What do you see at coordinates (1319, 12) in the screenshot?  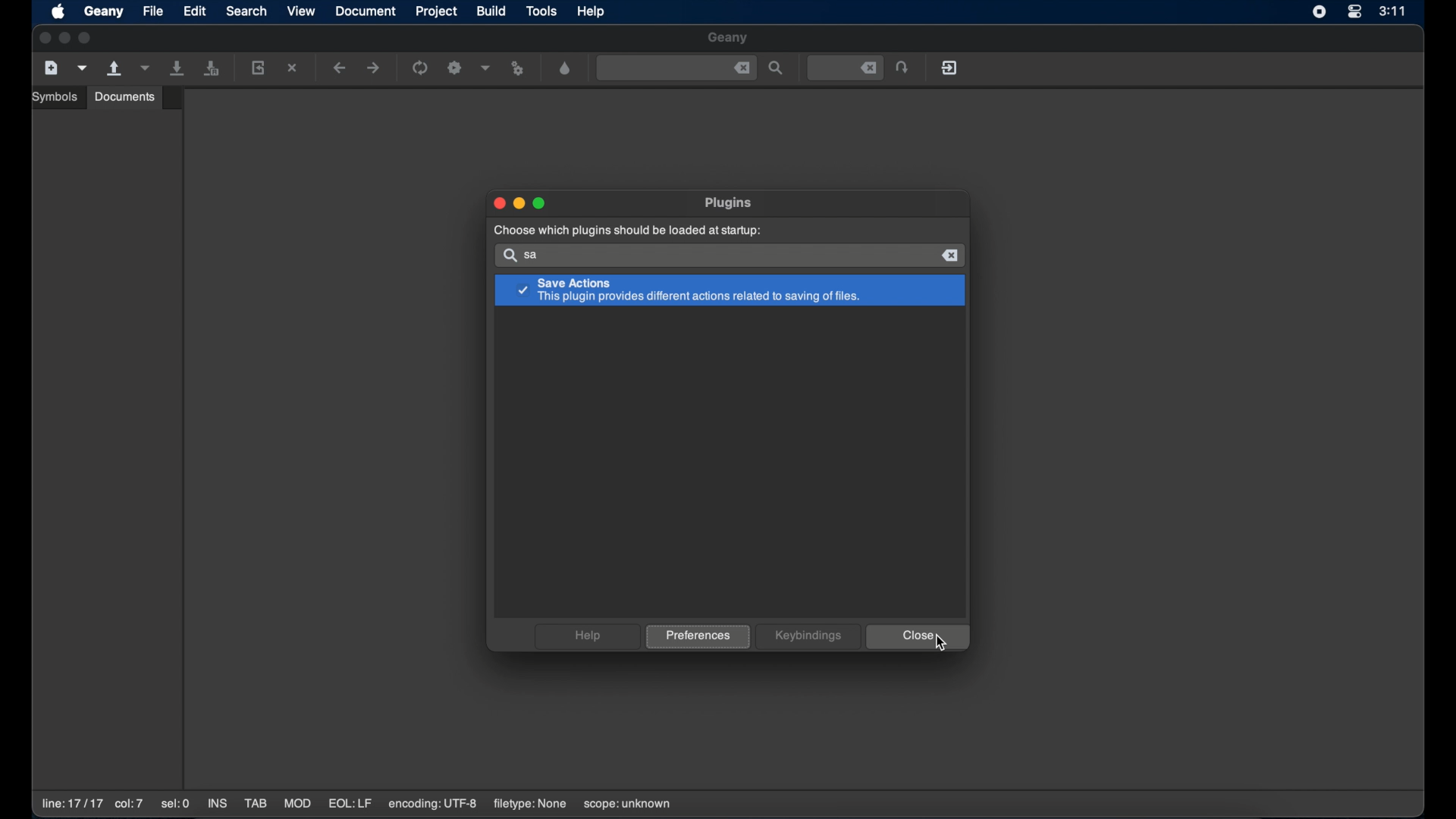 I see `screen recorder icon` at bounding box center [1319, 12].